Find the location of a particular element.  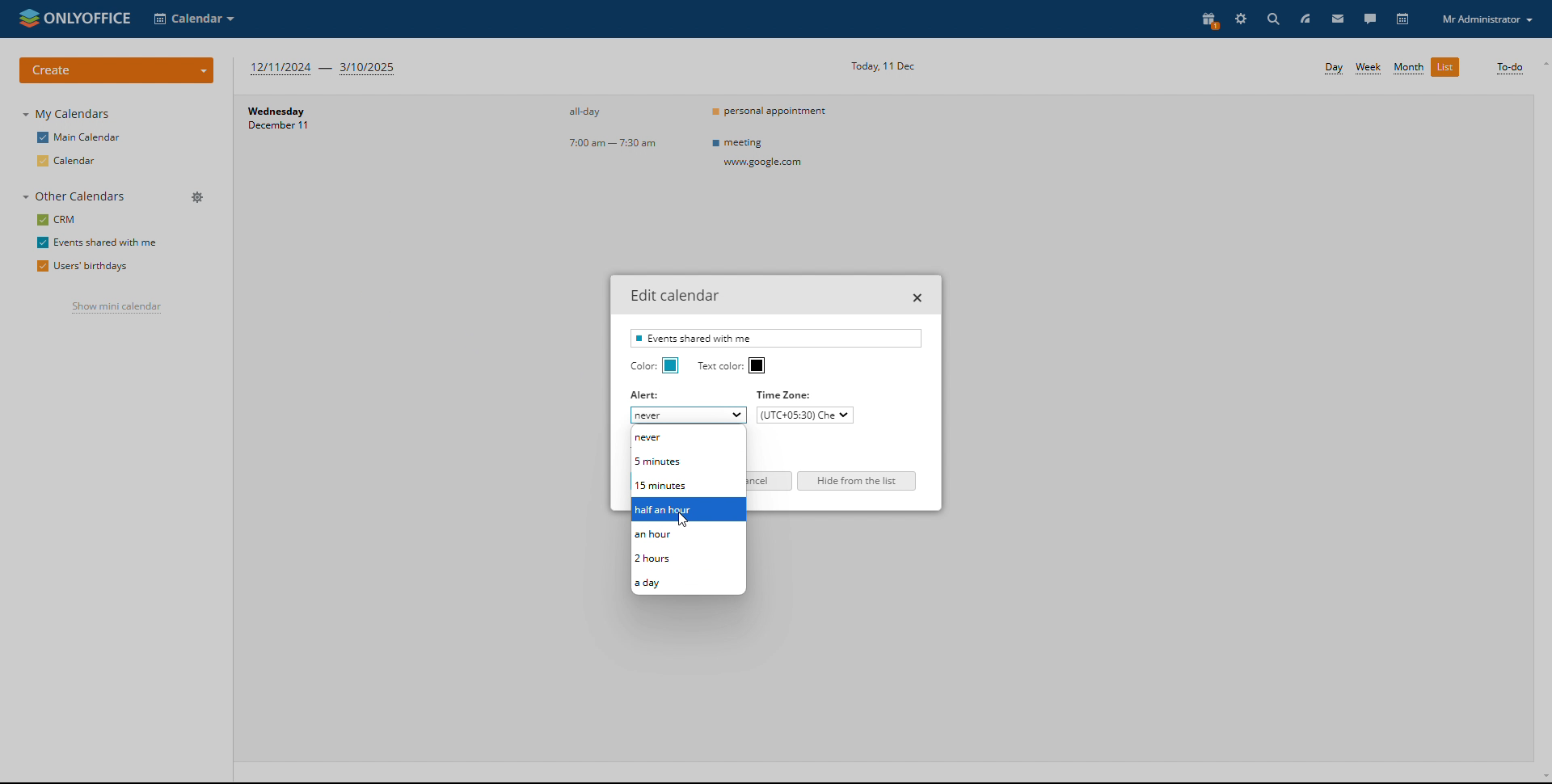

present is located at coordinates (1207, 18).